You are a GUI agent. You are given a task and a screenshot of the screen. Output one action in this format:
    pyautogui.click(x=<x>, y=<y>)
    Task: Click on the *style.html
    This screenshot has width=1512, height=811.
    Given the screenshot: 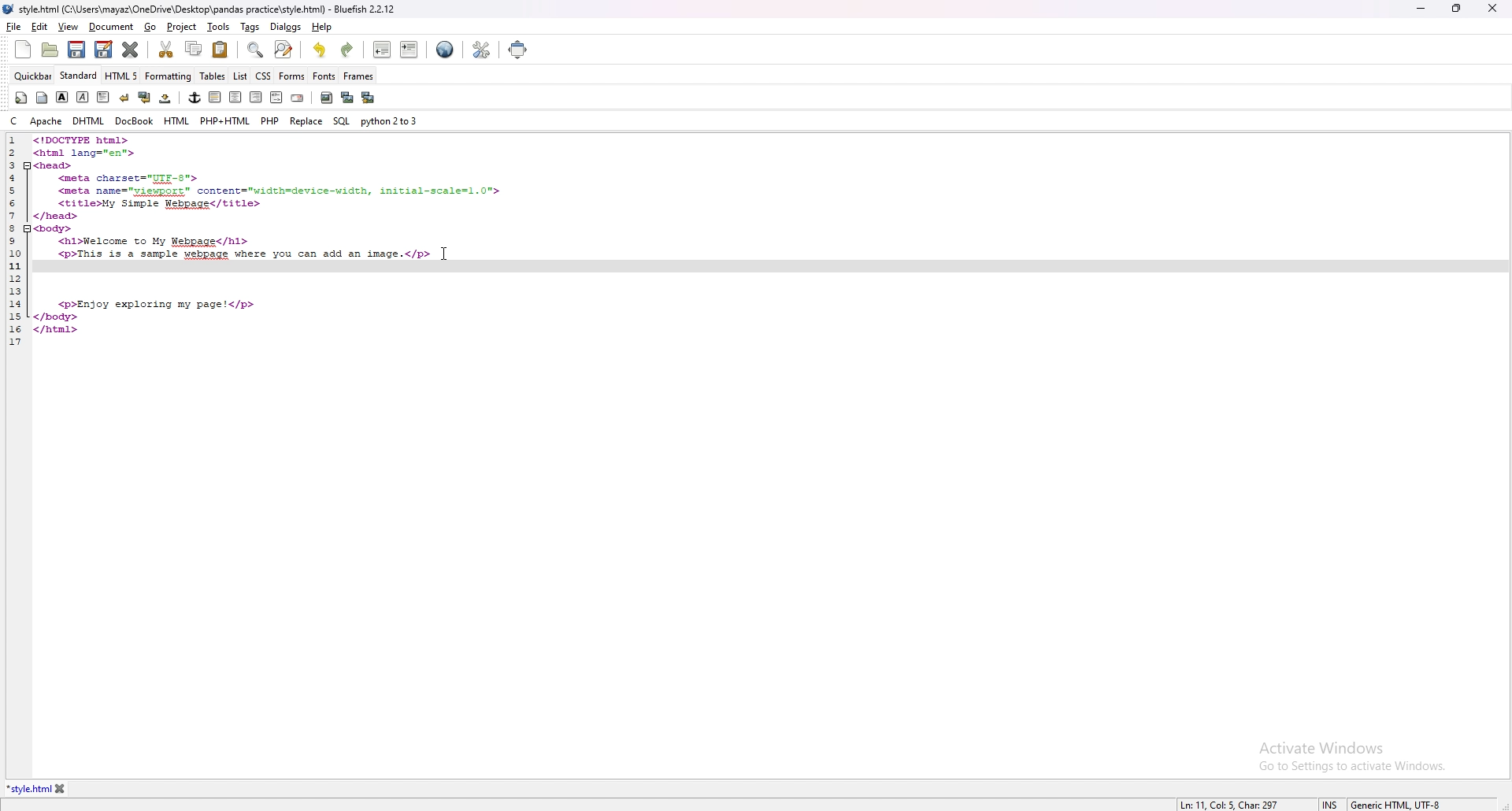 What is the action you would take?
    pyautogui.click(x=28, y=790)
    